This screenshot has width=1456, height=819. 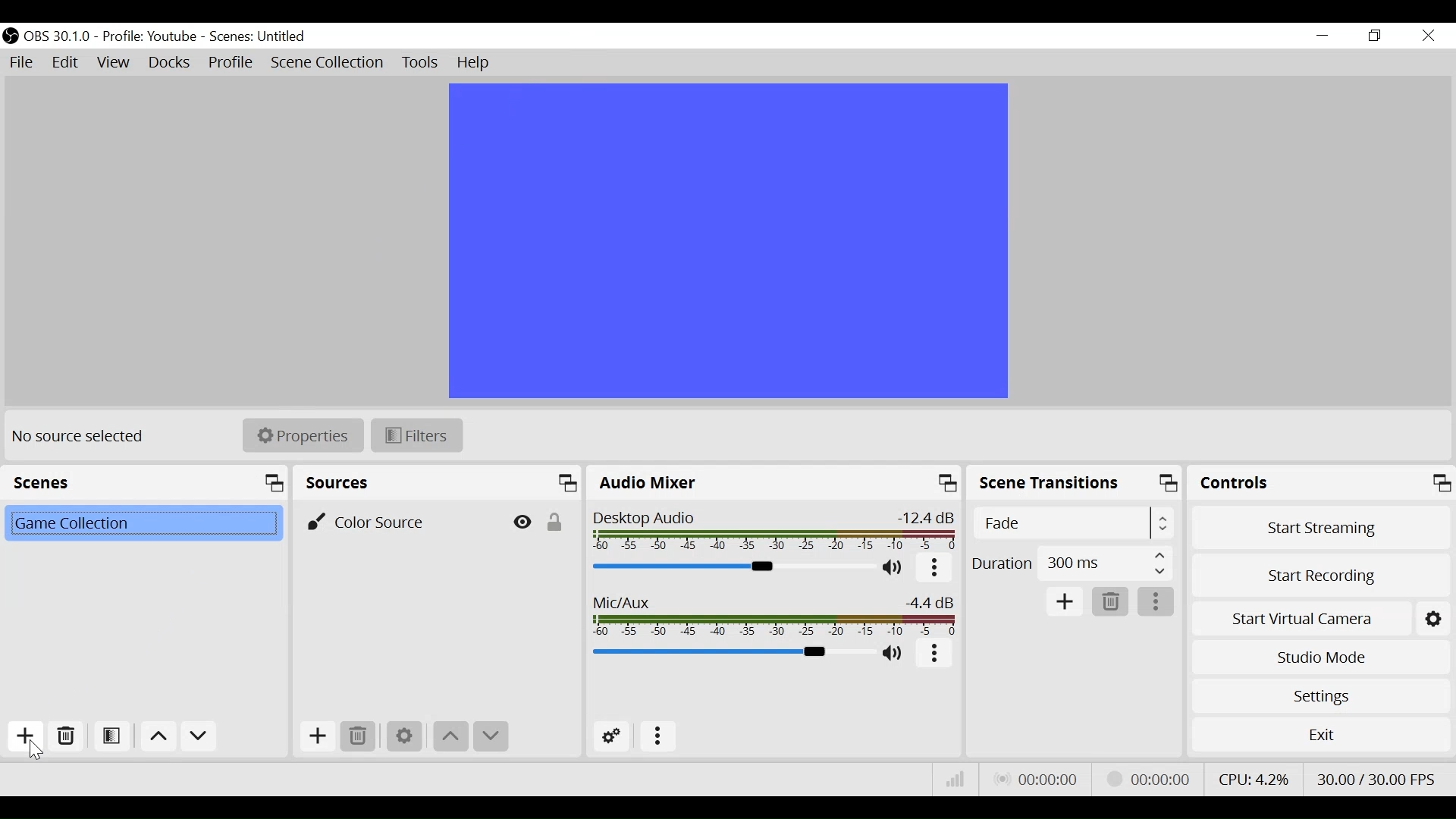 I want to click on Setting, so click(x=1434, y=616).